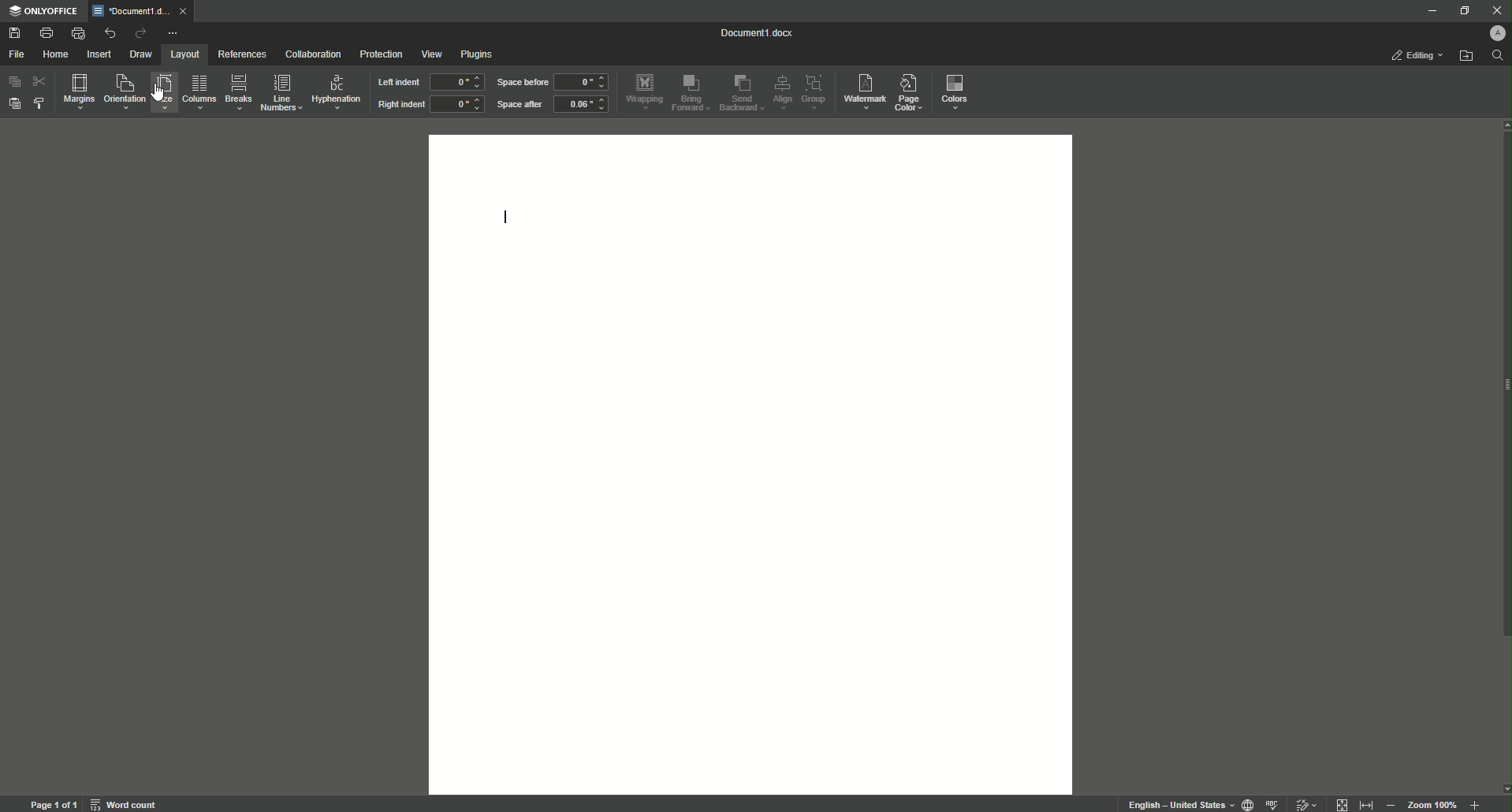 The height and width of the screenshot is (812, 1512). I want to click on Draw, so click(141, 53).